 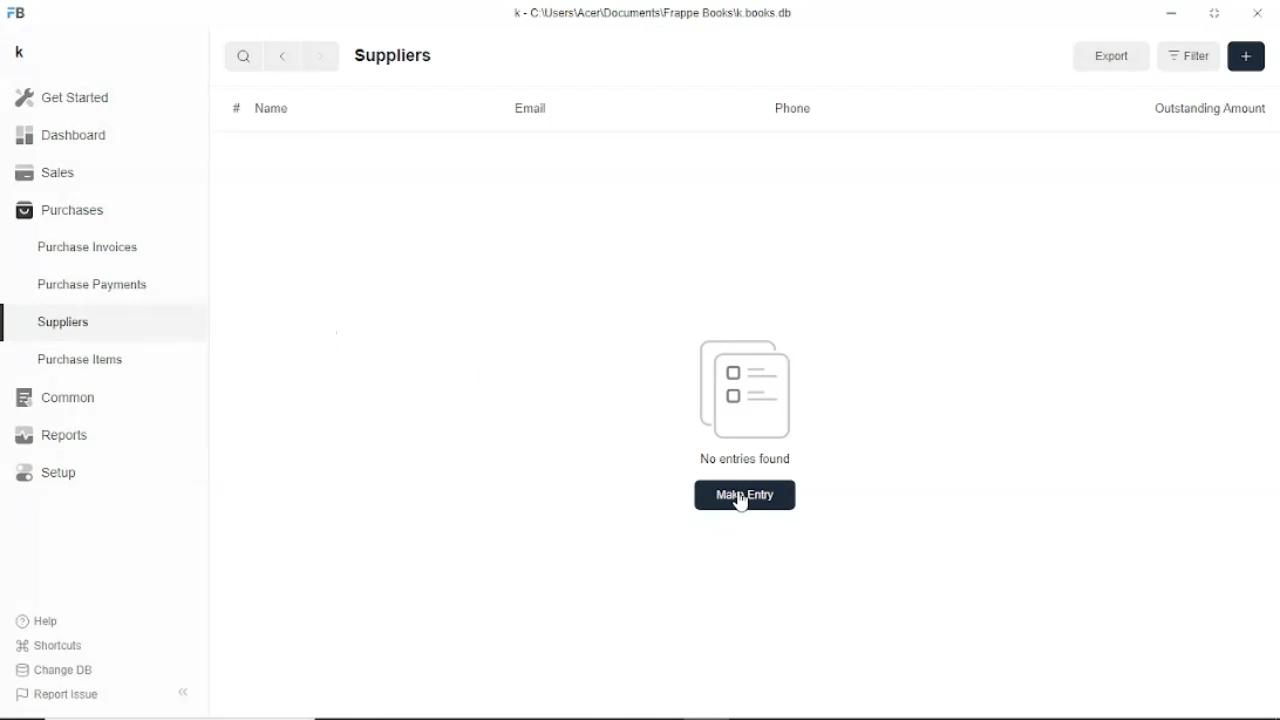 What do you see at coordinates (48, 173) in the screenshot?
I see `Sales` at bounding box center [48, 173].